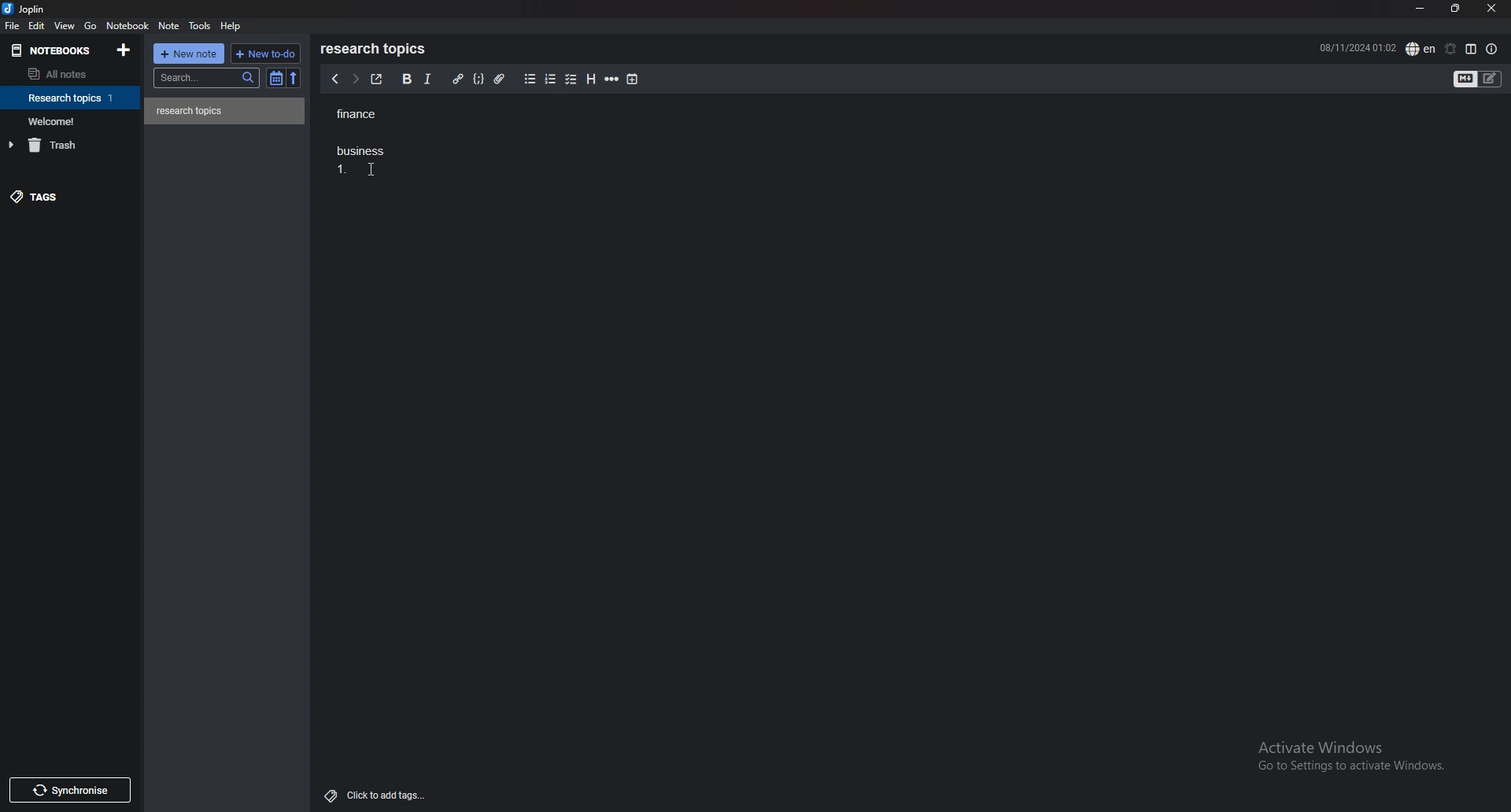  What do you see at coordinates (375, 113) in the screenshot?
I see ` finance` at bounding box center [375, 113].